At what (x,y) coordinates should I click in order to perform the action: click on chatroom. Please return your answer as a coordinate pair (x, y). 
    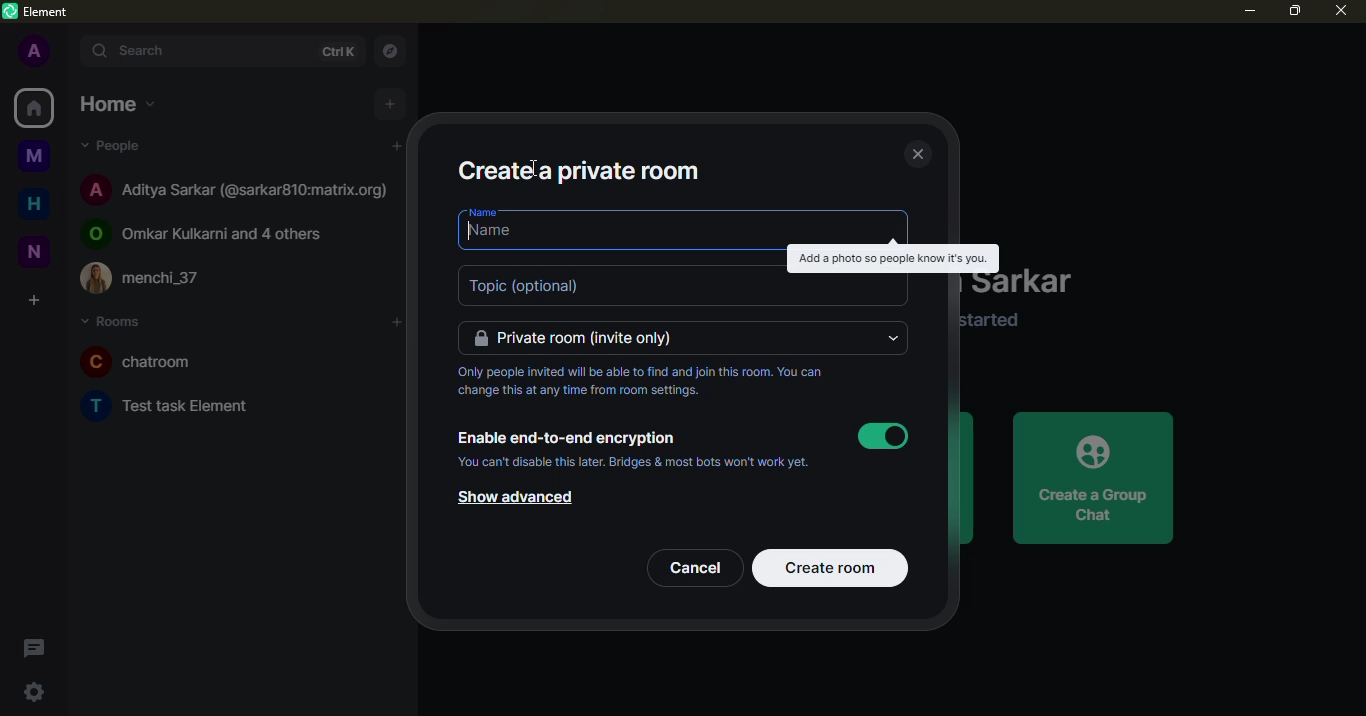
    Looking at the image, I should click on (140, 360).